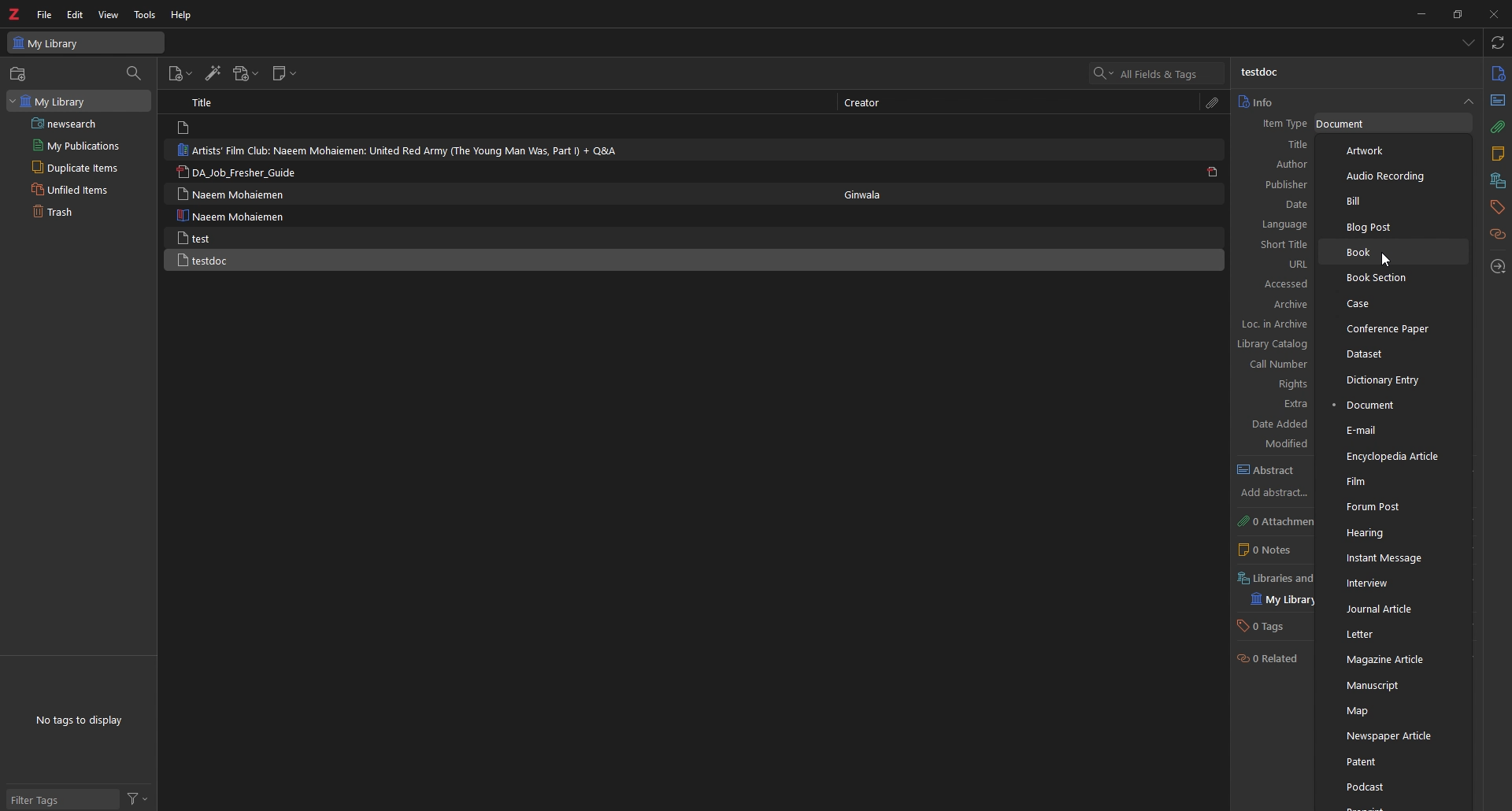 The width and height of the screenshot is (1512, 811). What do you see at coordinates (1497, 267) in the screenshot?
I see `locate` at bounding box center [1497, 267].